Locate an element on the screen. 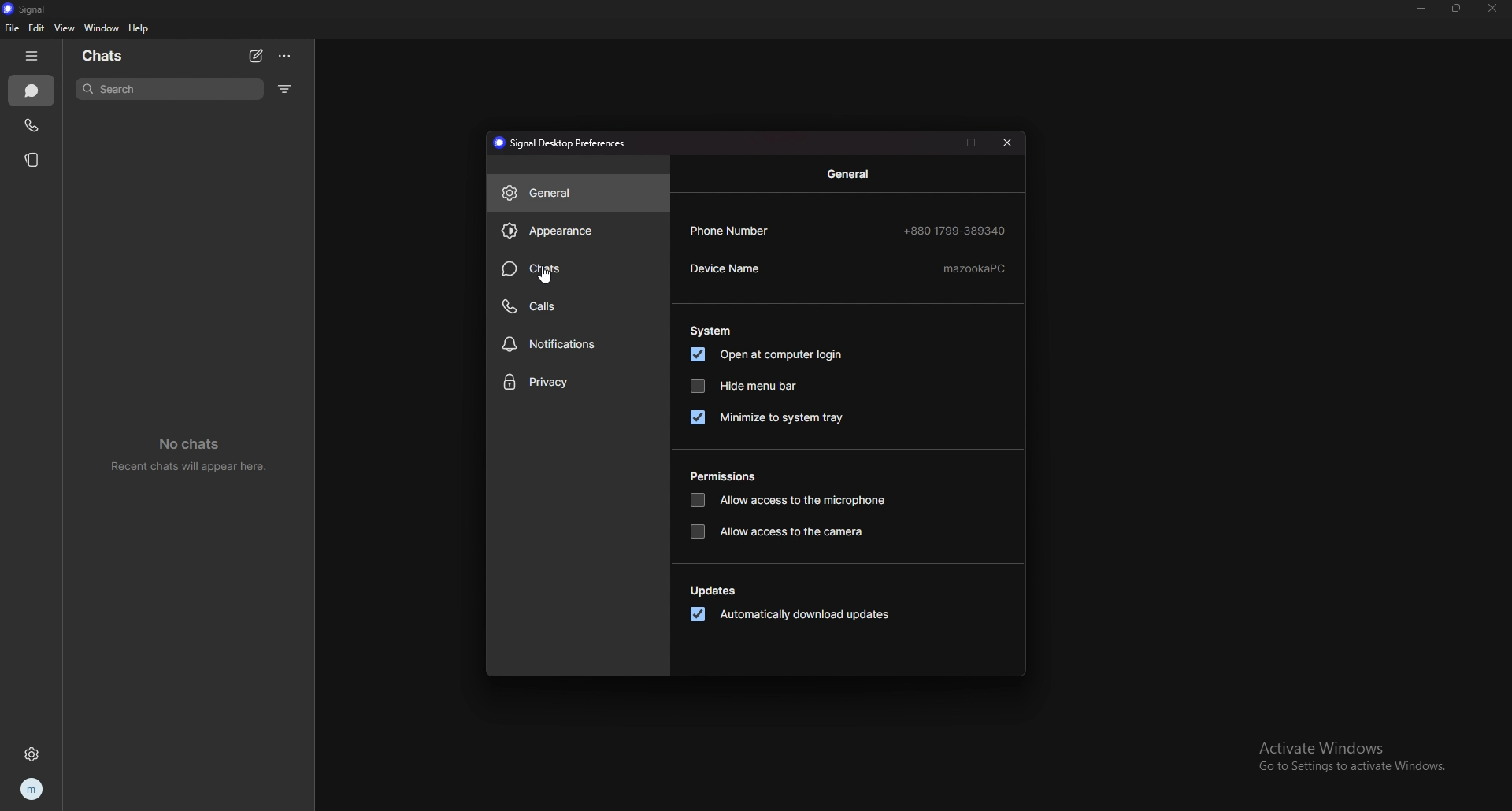 This screenshot has height=811, width=1512. chats is located at coordinates (580, 268).